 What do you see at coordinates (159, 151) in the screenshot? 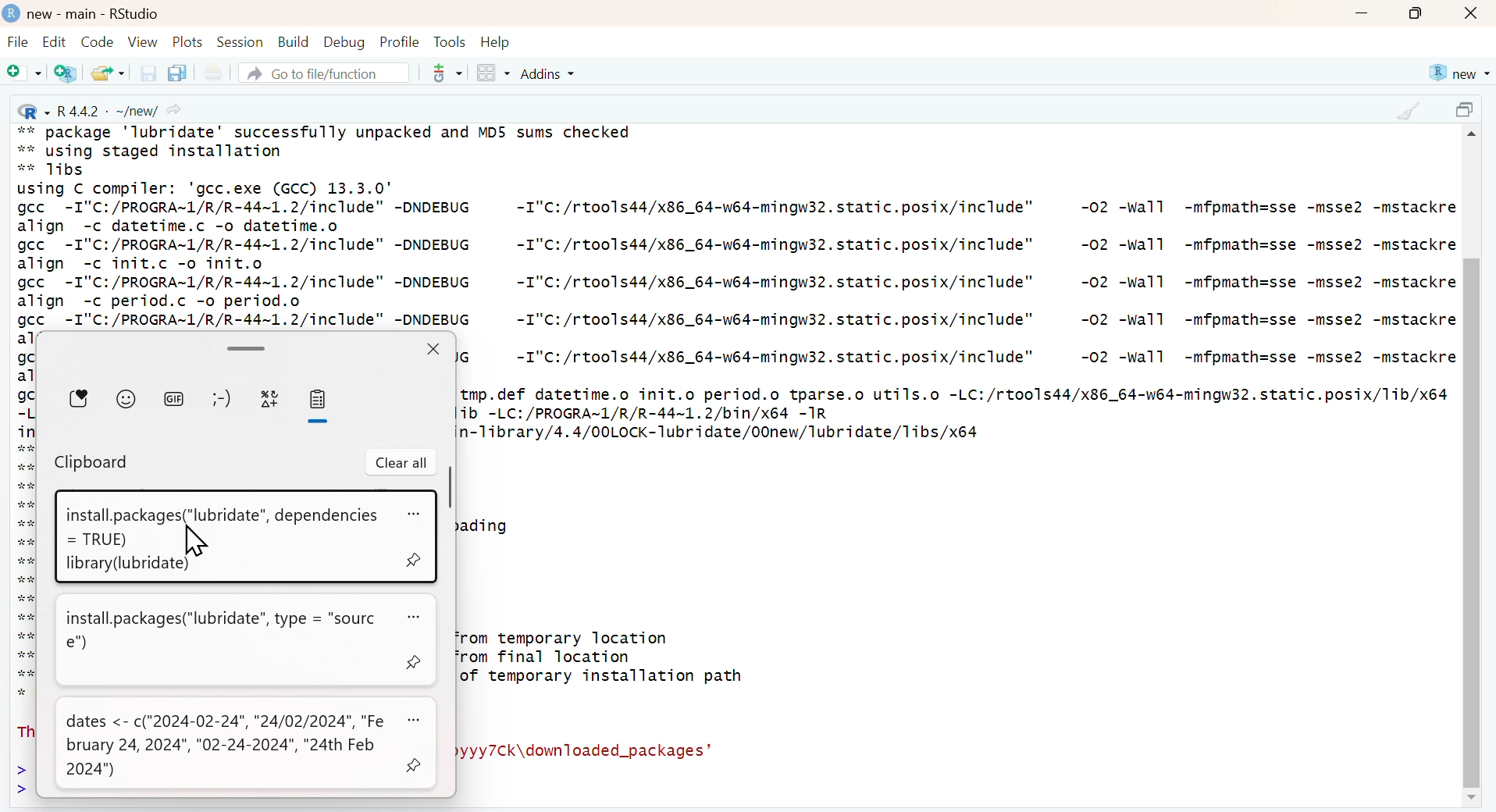
I see `** using staged installation` at bounding box center [159, 151].